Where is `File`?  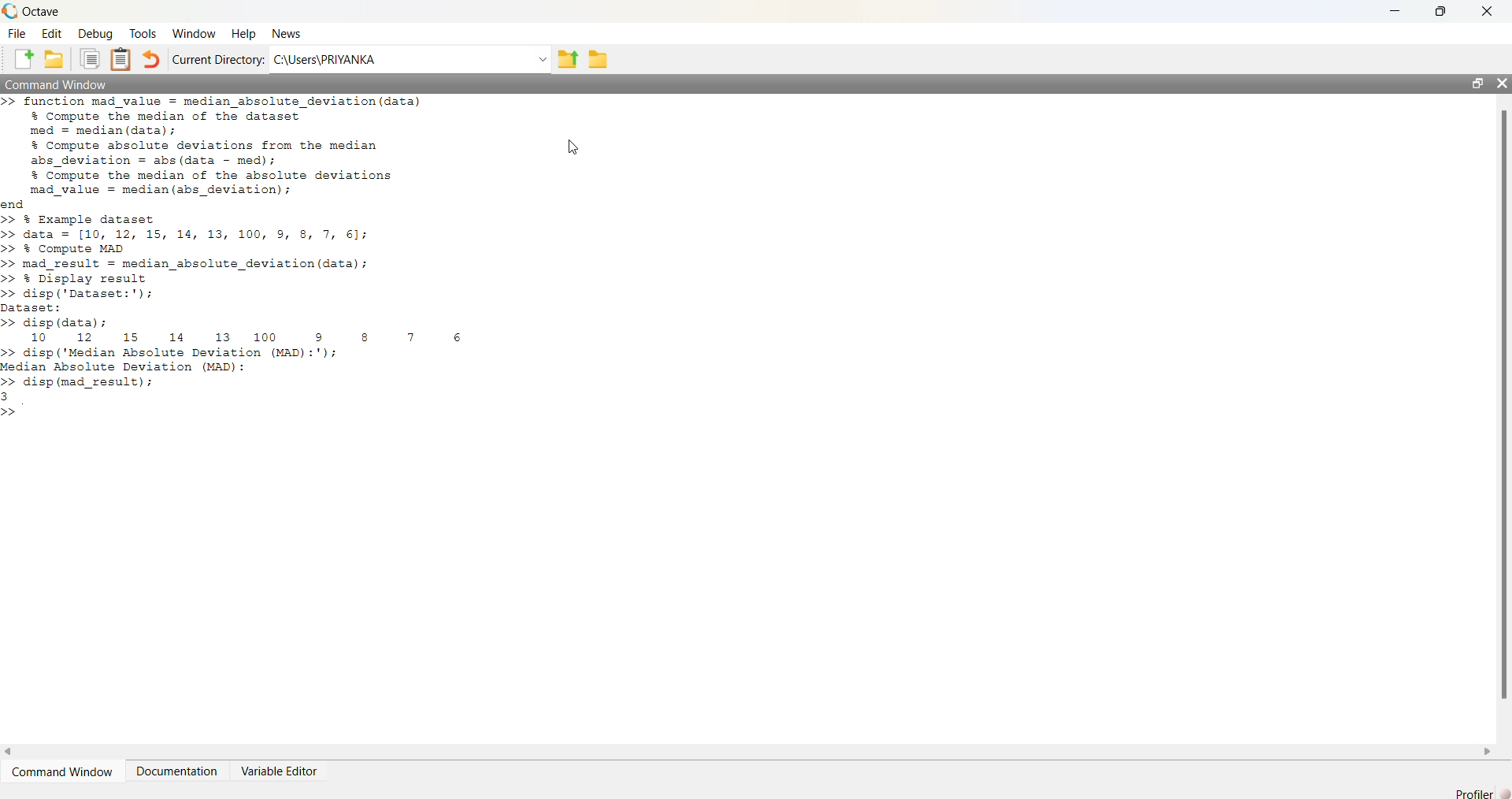
File is located at coordinates (18, 33).